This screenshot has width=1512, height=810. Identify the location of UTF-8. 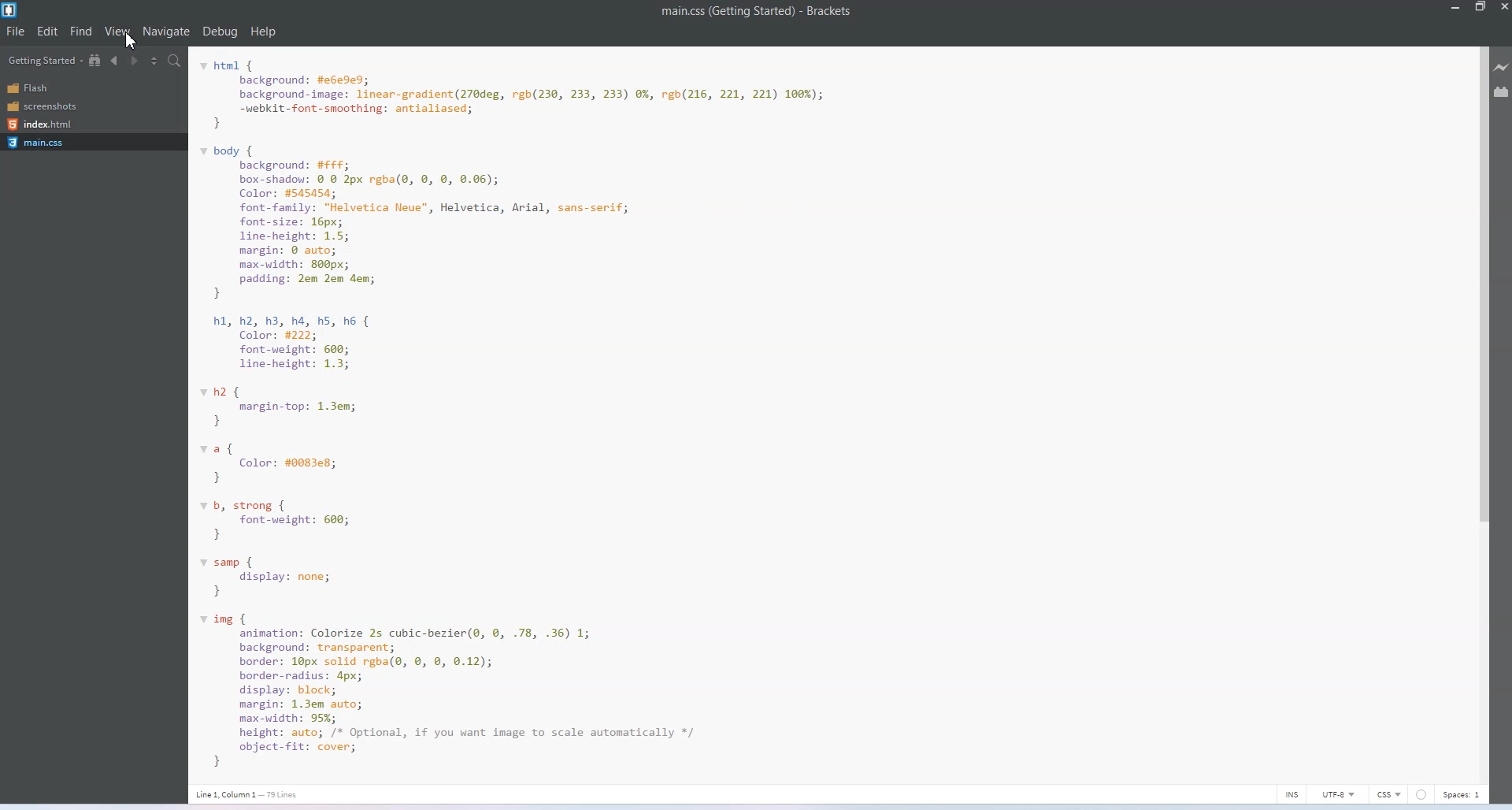
(1340, 793).